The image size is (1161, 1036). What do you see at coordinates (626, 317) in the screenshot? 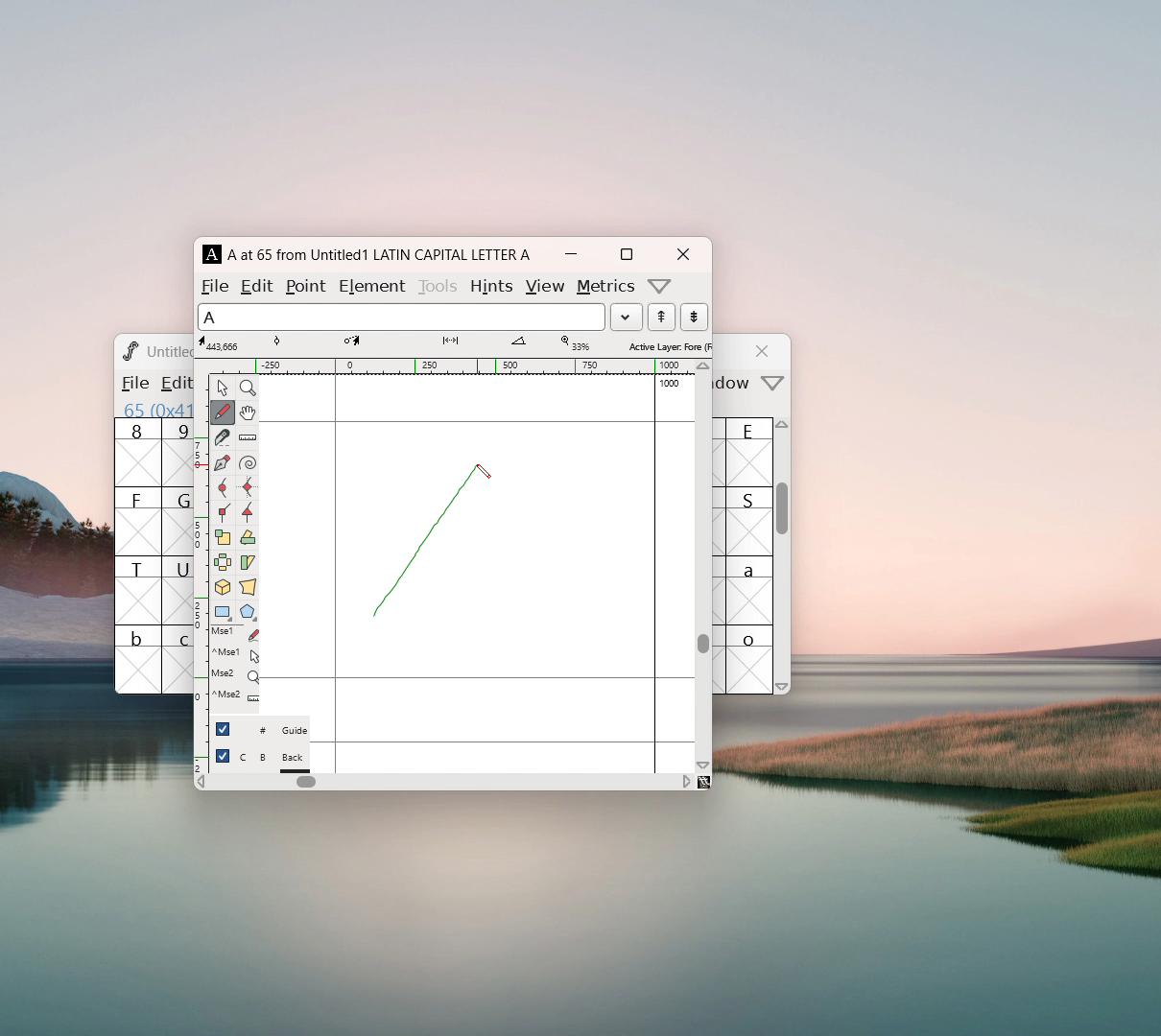
I see `load word list` at bounding box center [626, 317].